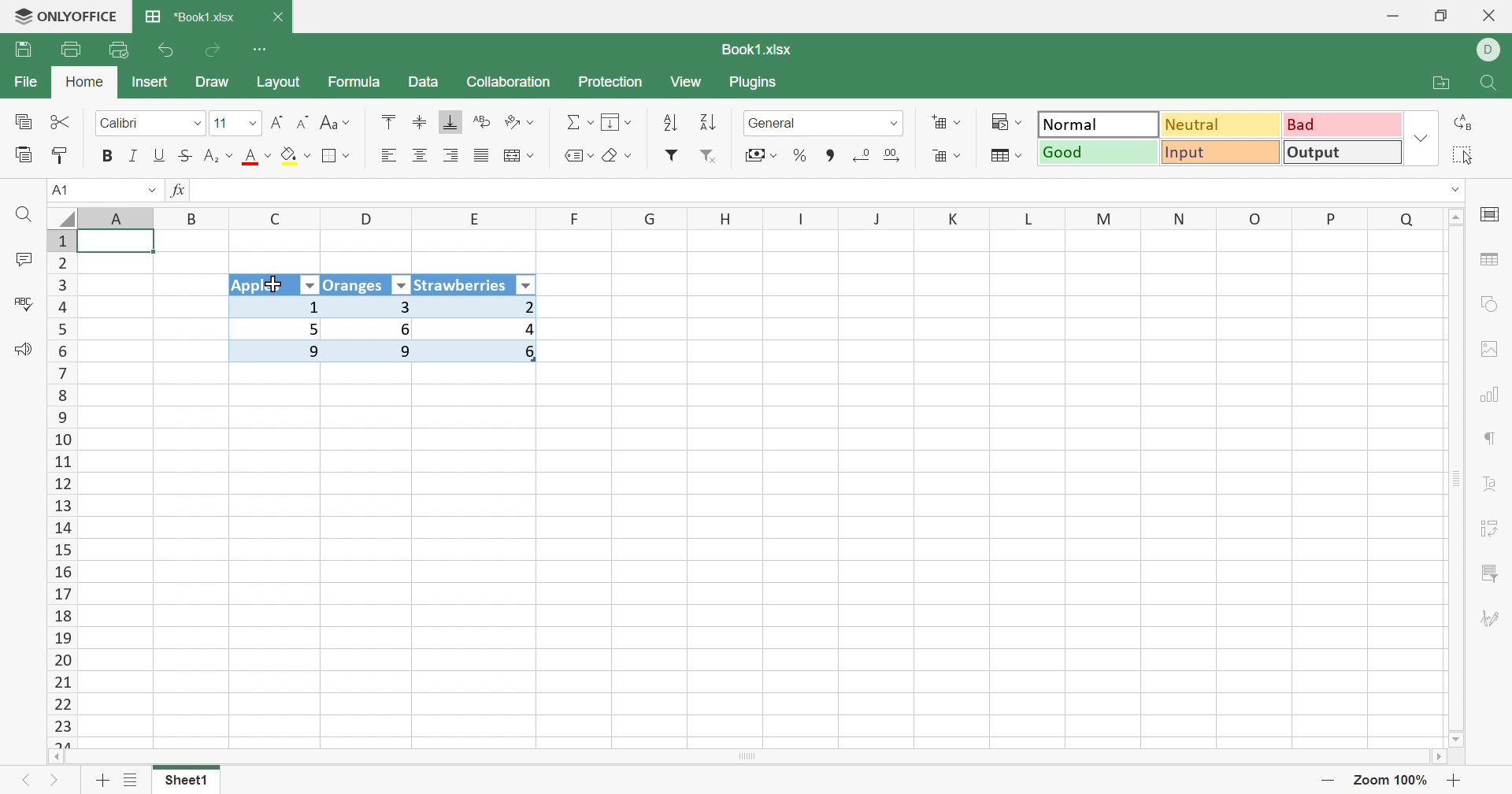 The width and height of the screenshot is (1512, 794). I want to click on Scroll right, so click(1436, 757).